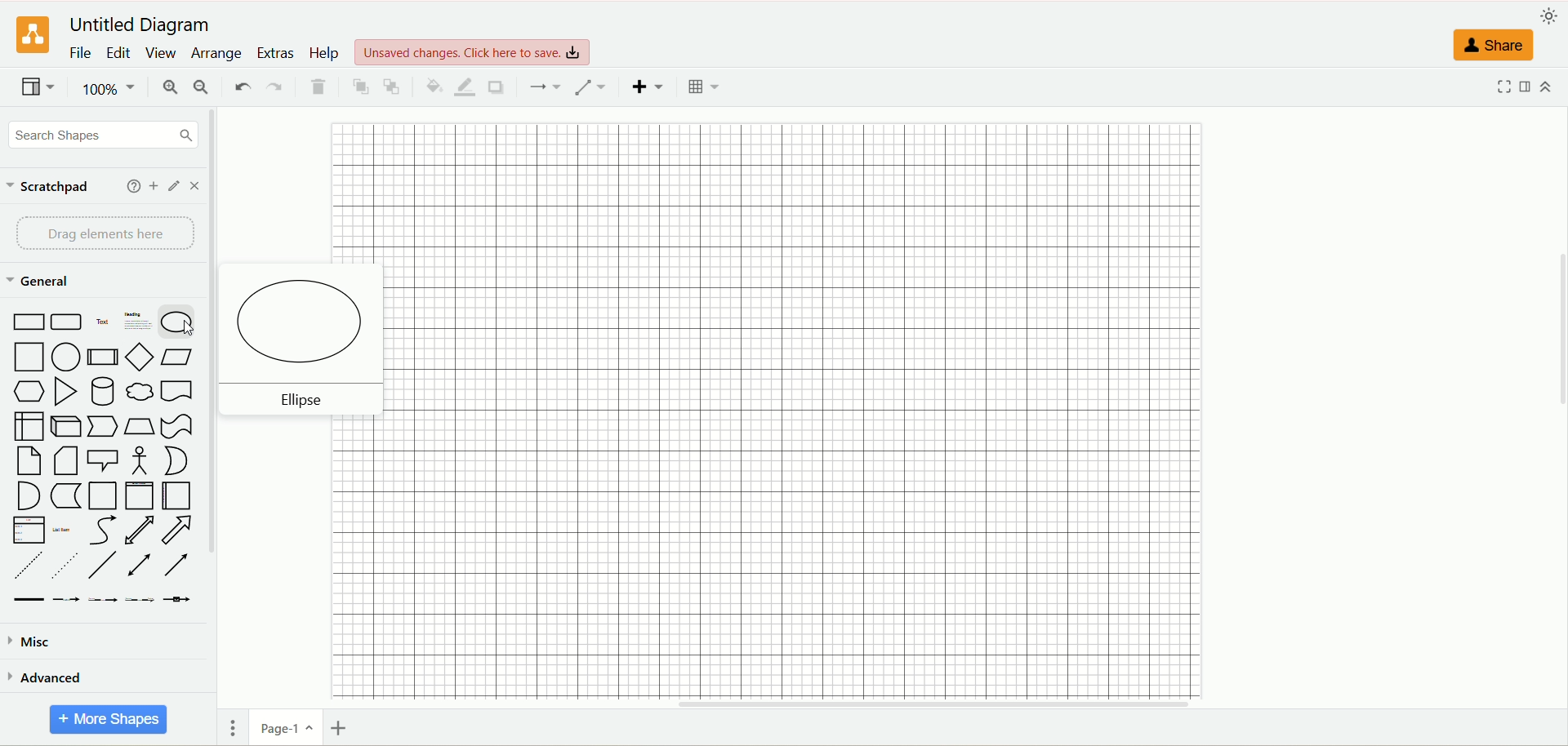 The height and width of the screenshot is (746, 1568). What do you see at coordinates (476, 47) in the screenshot?
I see `Unsaved changes. Click here to save. ts` at bounding box center [476, 47].